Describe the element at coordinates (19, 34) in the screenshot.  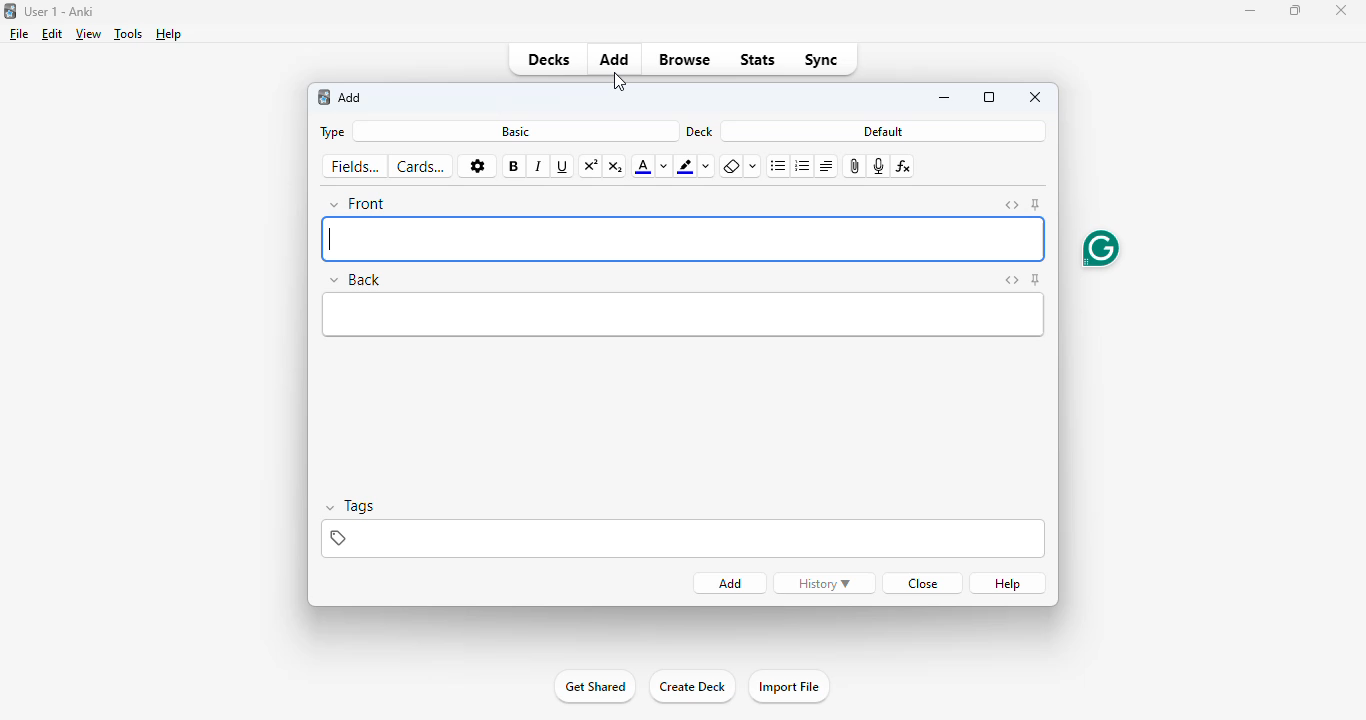
I see `file` at that location.